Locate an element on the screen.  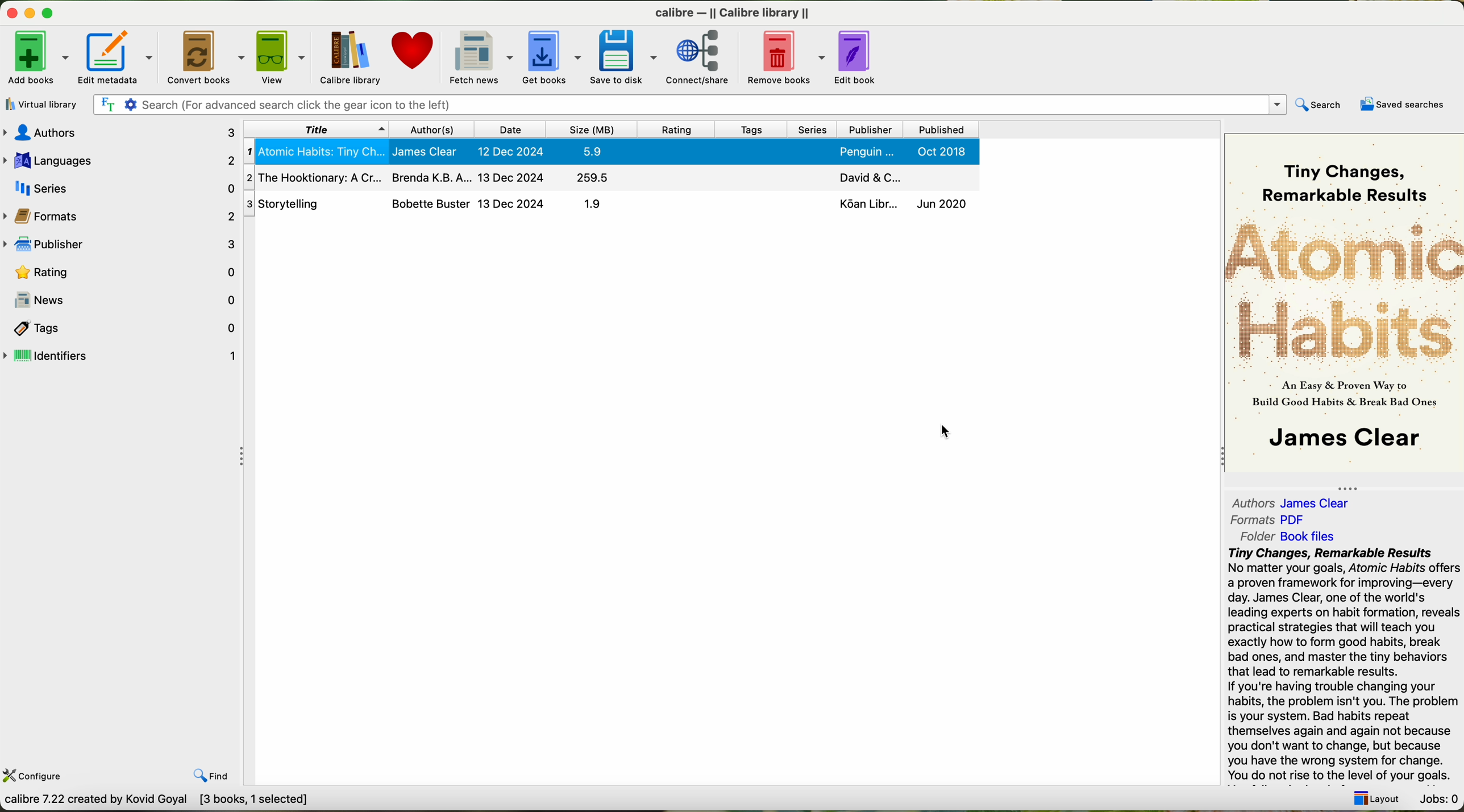
folder is located at coordinates (1255, 537).